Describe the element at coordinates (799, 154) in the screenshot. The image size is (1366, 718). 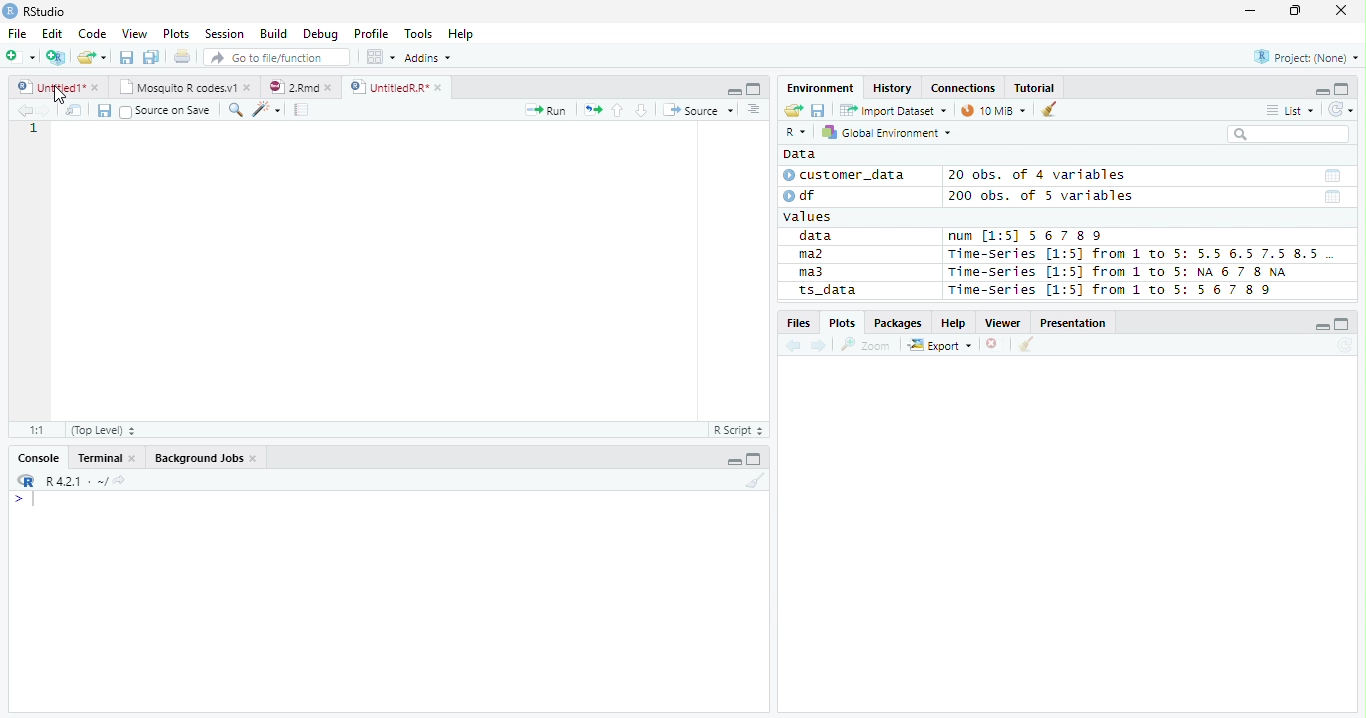
I see `Data` at that location.